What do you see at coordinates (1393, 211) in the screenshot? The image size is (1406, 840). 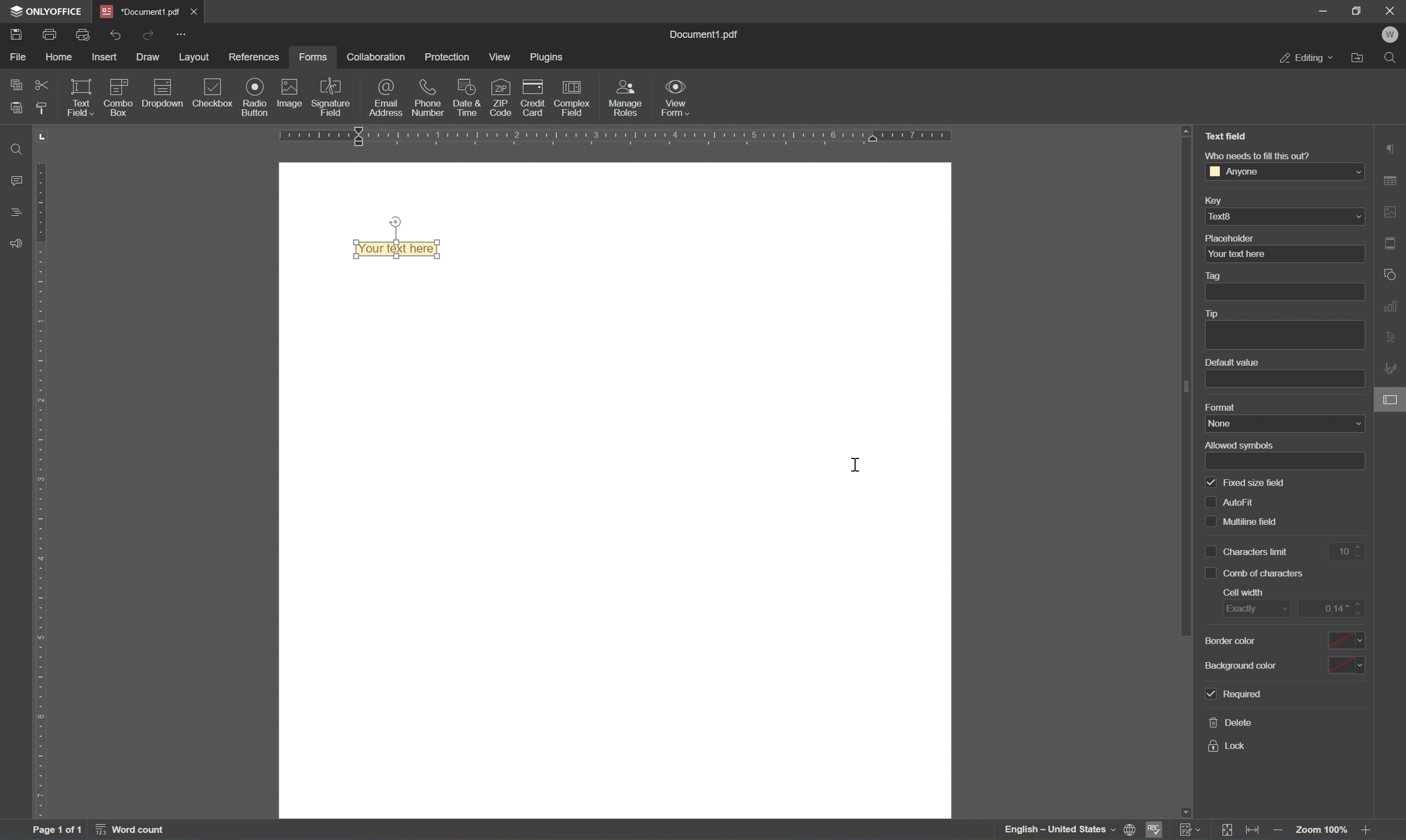 I see `image settings` at bounding box center [1393, 211].